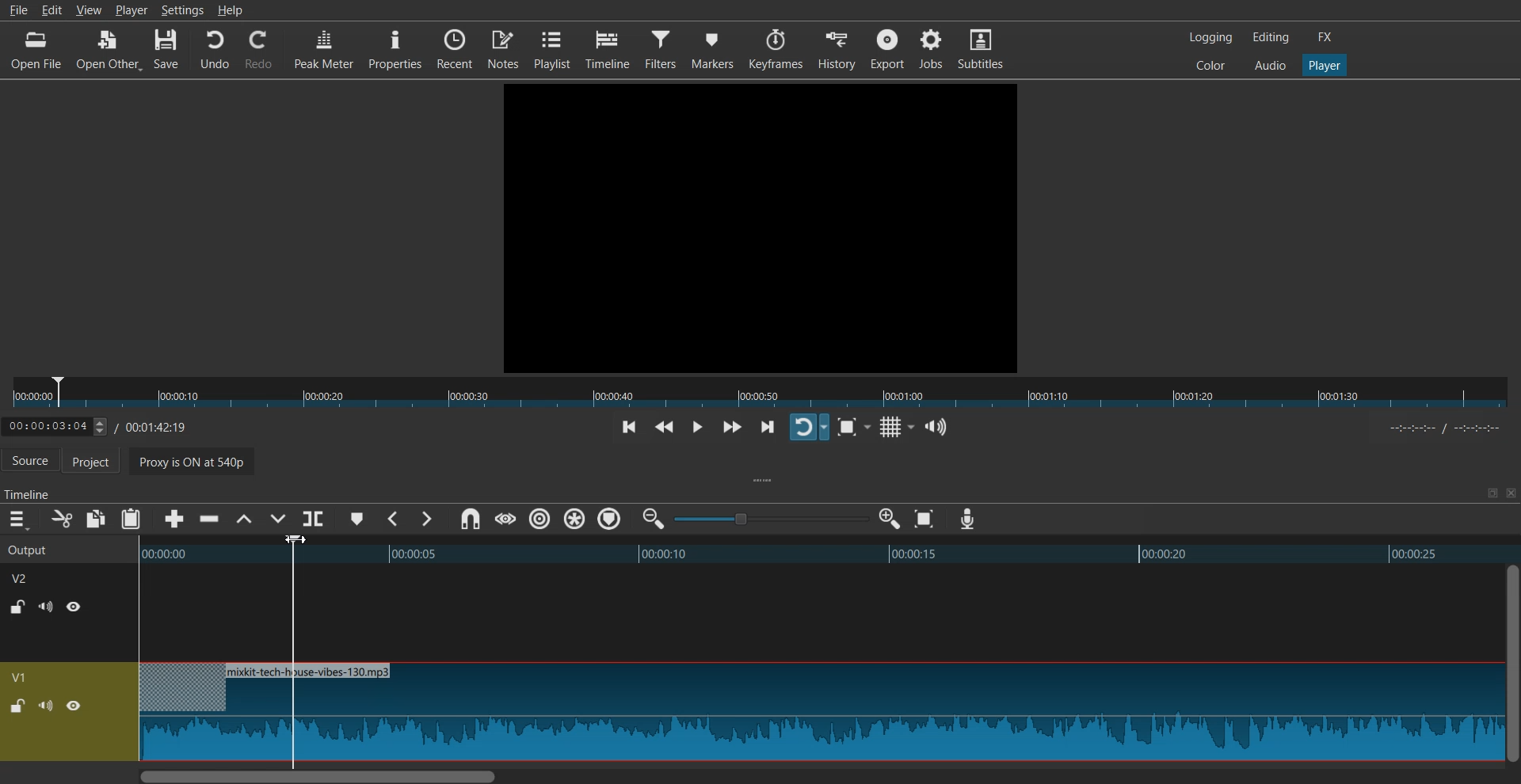  I want to click on Keyframes, so click(776, 49).